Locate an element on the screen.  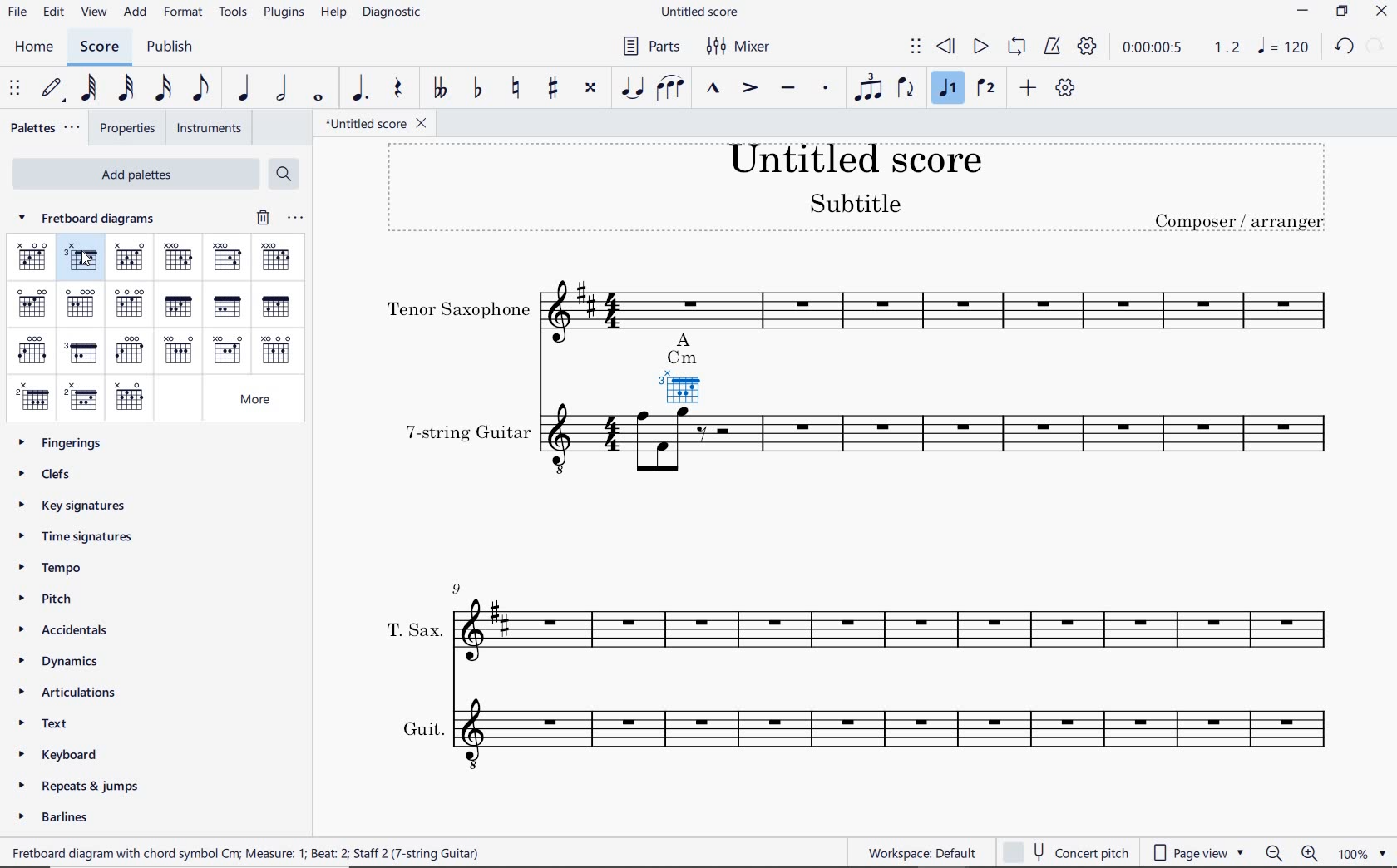
REWIND is located at coordinates (945, 46).